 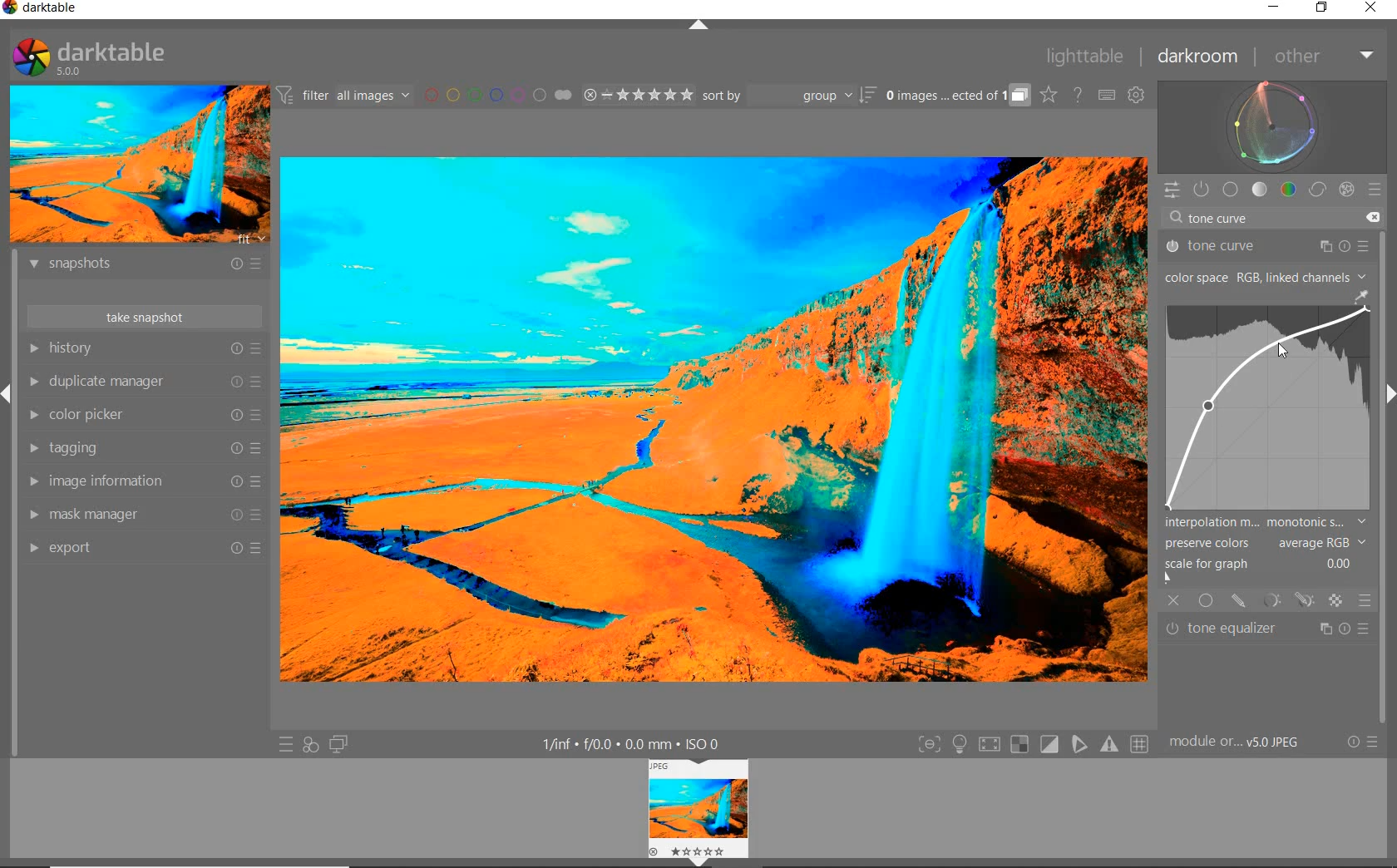 I want to click on EXPAND GROUPED IMAGES, so click(x=958, y=96).